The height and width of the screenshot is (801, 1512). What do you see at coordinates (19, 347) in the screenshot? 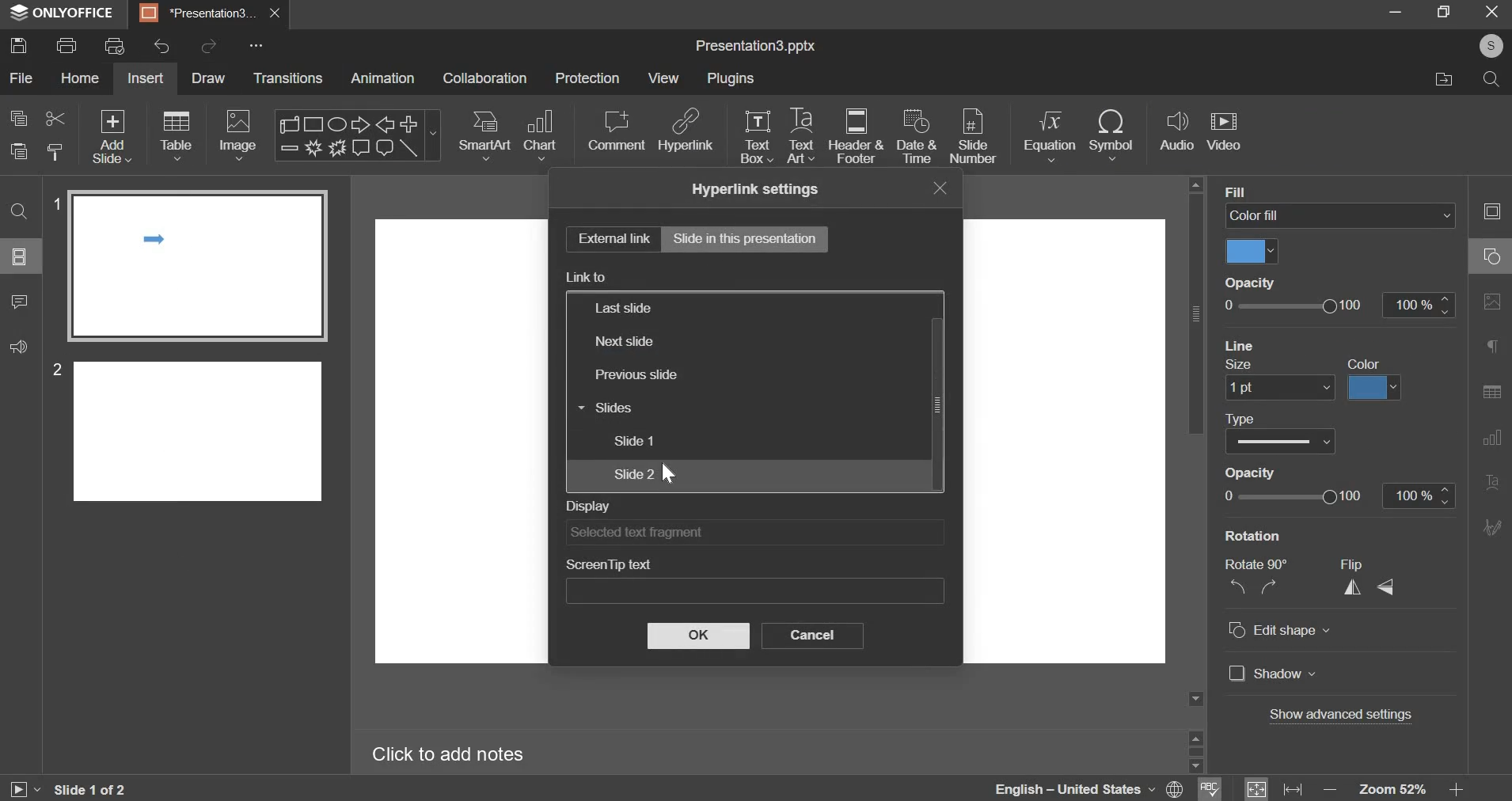
I see `feedback` at bounding box center [19, 347].